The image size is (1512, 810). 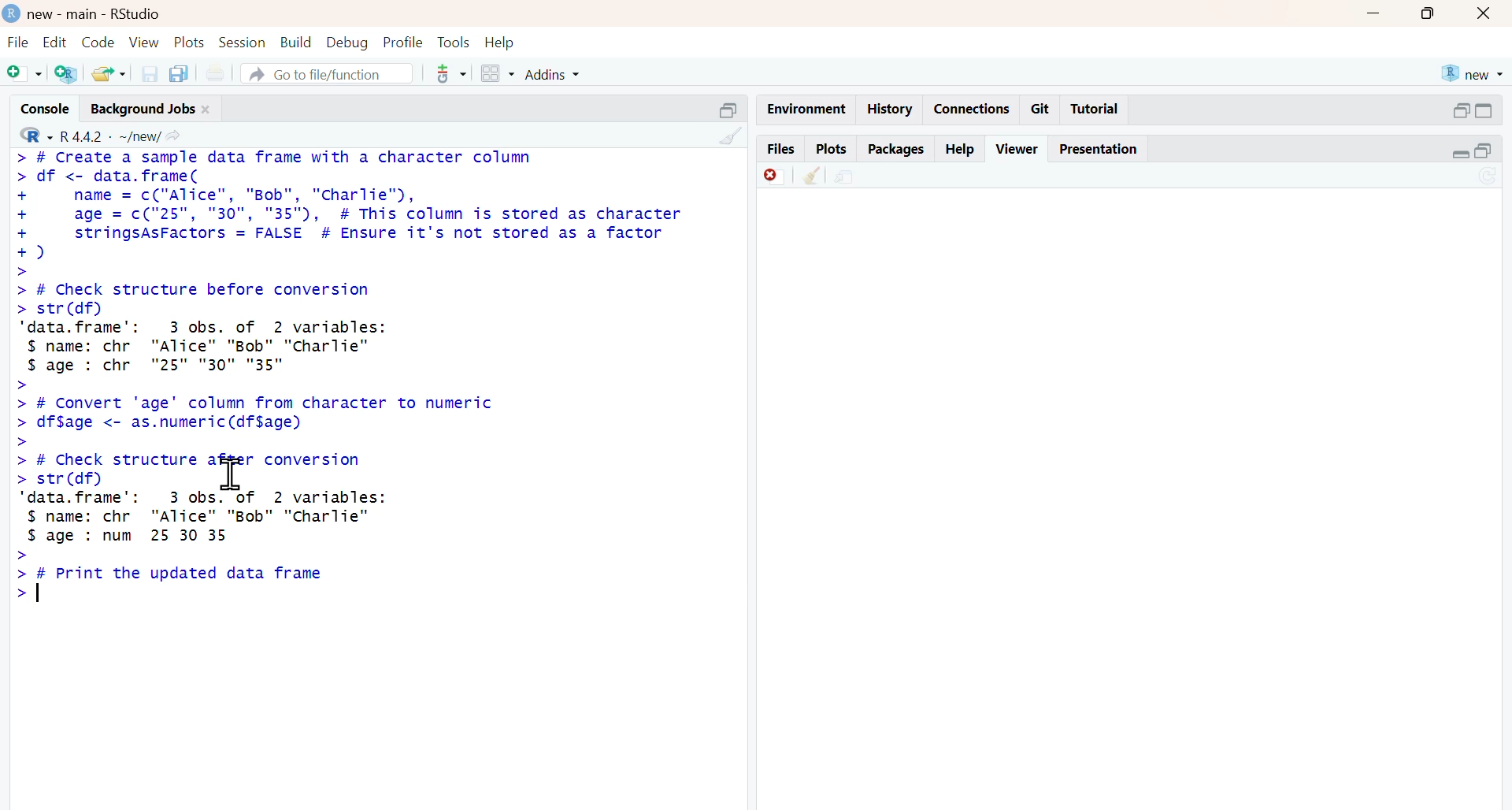 I want to click on close, so click(x=206, y=110).